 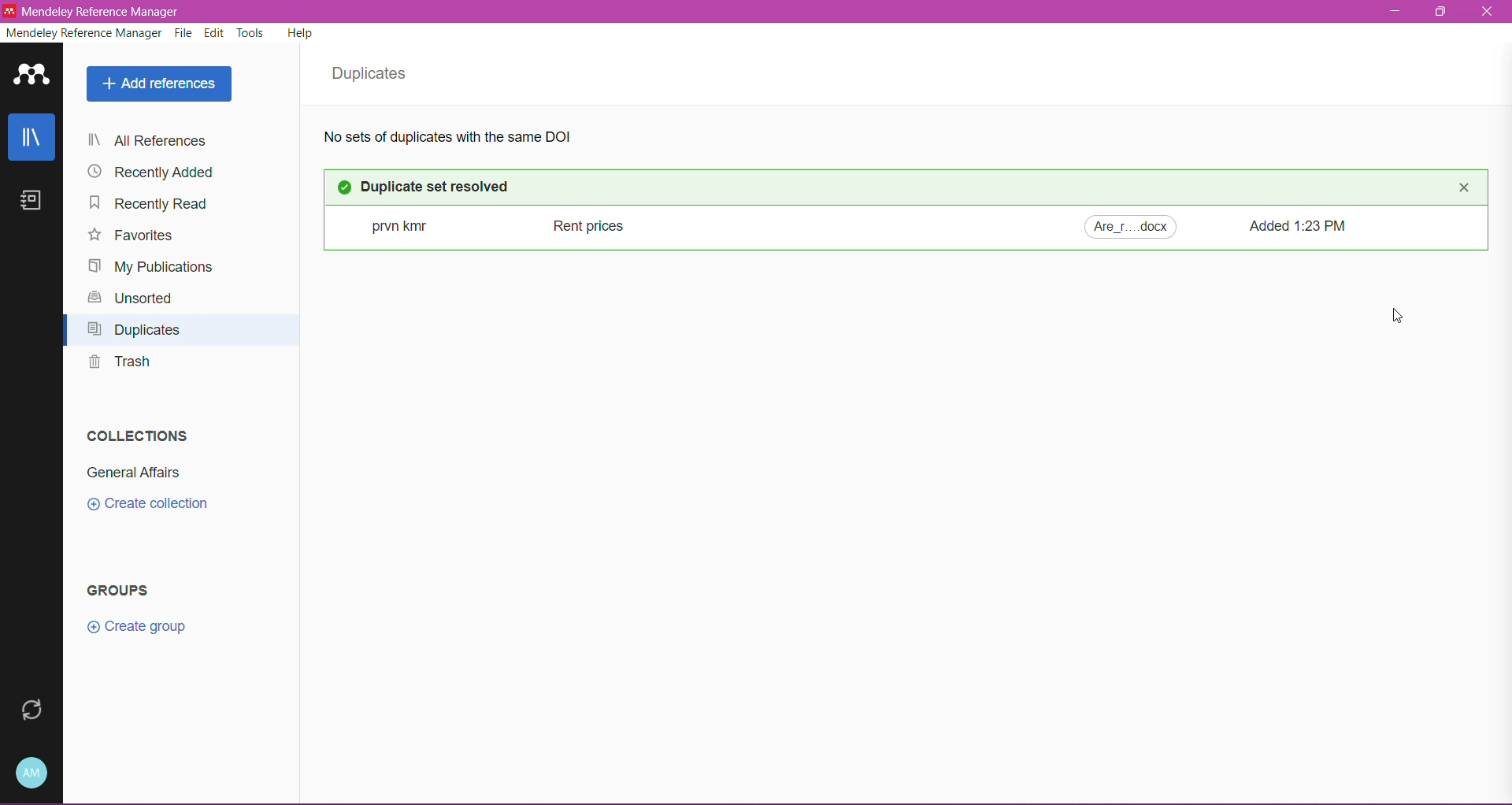 I want to click on added time, so click(x=1303, y=224).